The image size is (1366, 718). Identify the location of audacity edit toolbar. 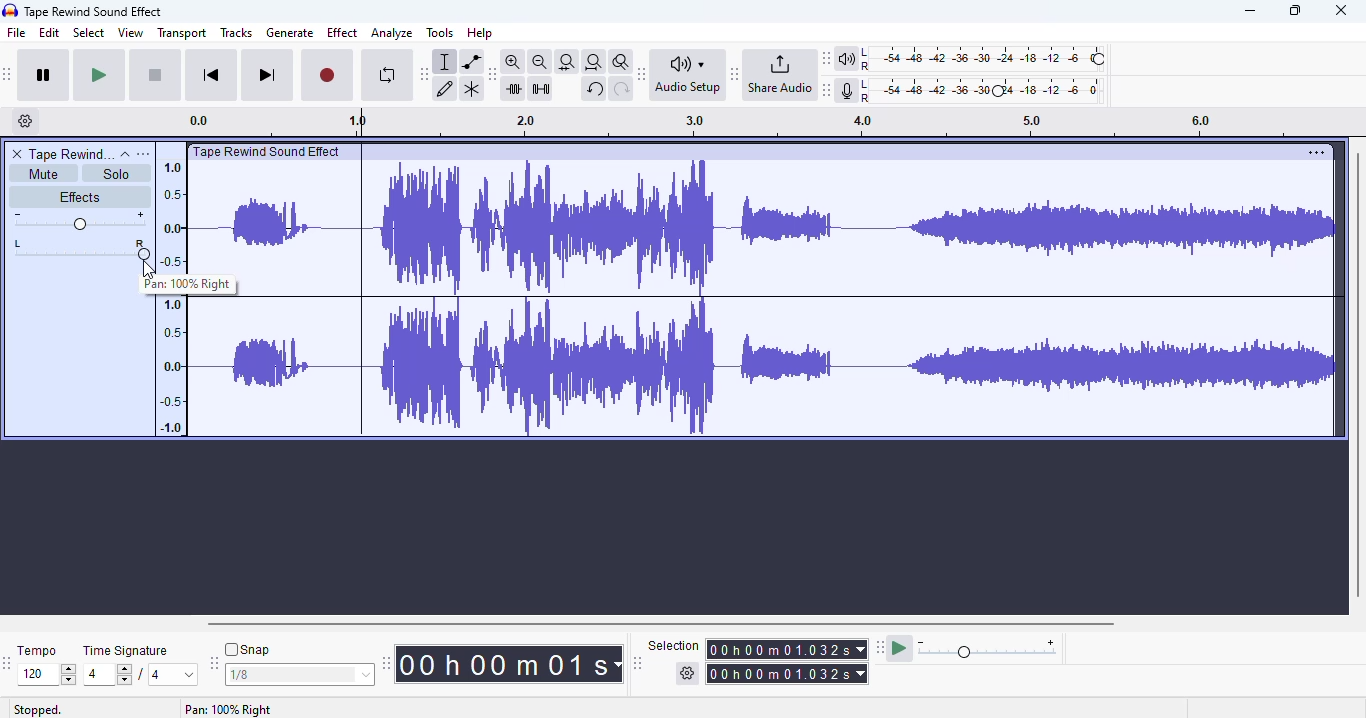
(490, 75).